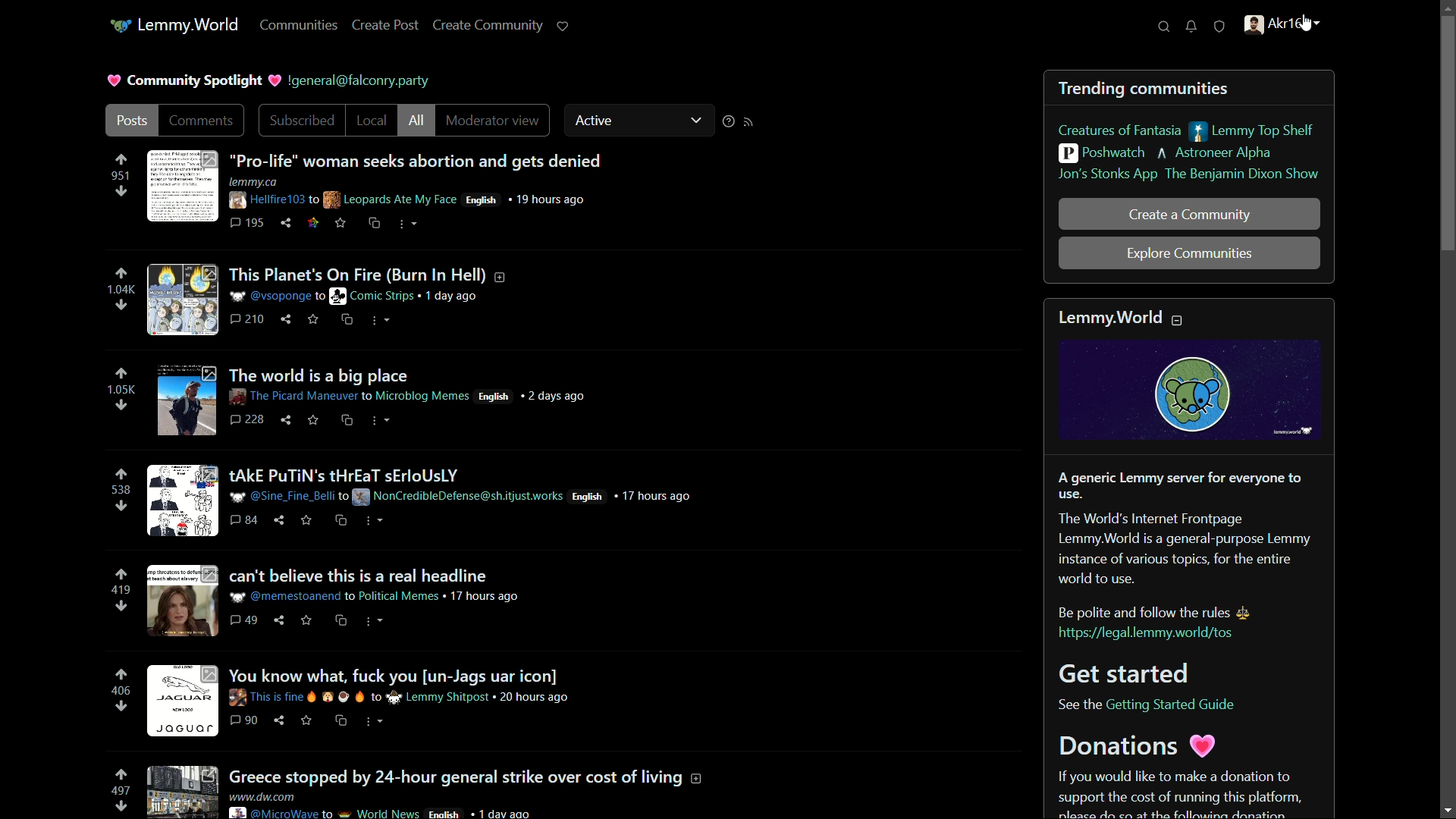  What do you see at coordinates (333, 600) in the screenshot?
I see `post-5` at bounding box center [333, 600].